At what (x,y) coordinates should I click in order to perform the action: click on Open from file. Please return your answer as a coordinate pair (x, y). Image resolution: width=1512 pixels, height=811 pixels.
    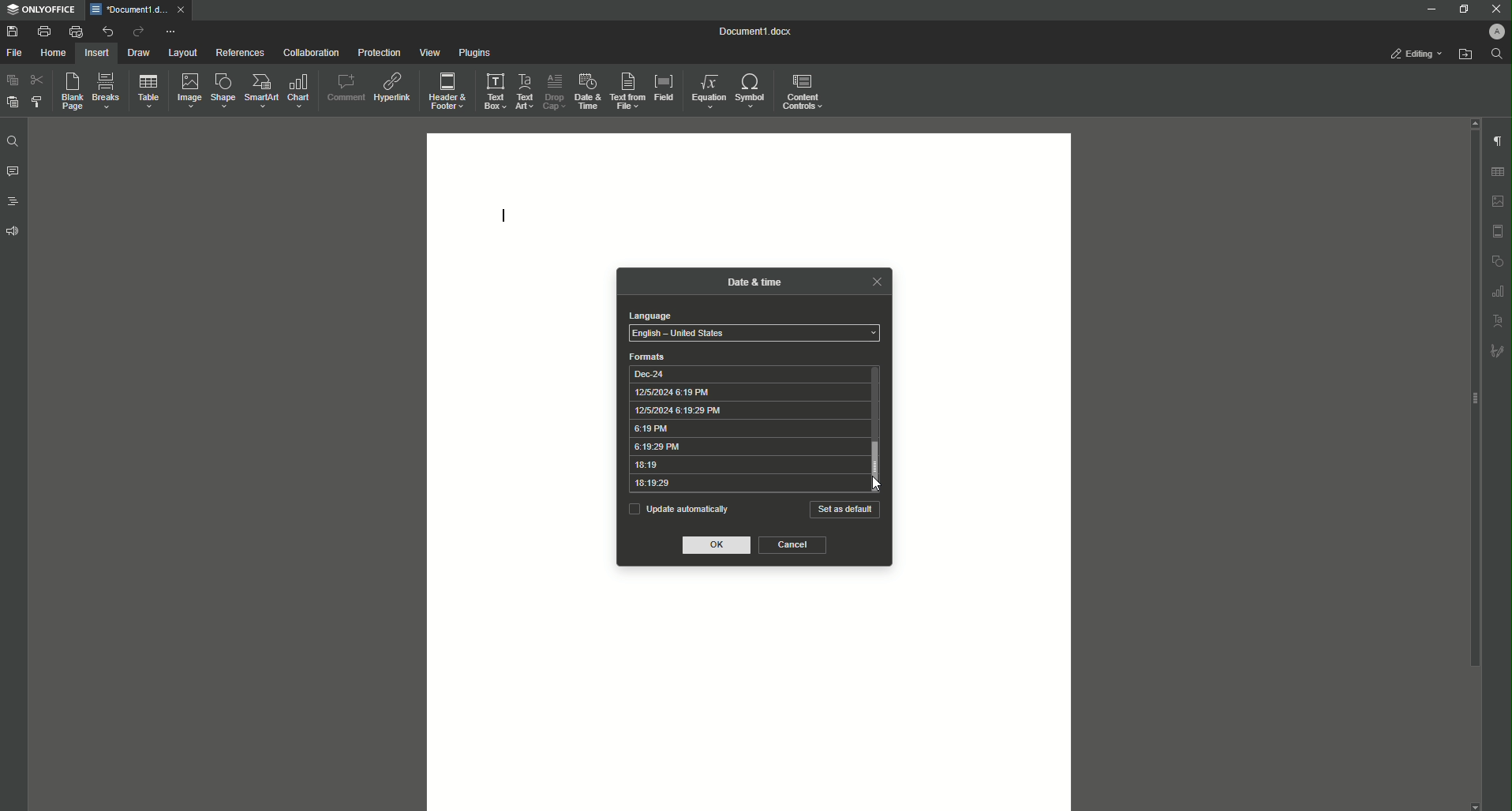
    Looking at the image, I should click on (1465, 54).